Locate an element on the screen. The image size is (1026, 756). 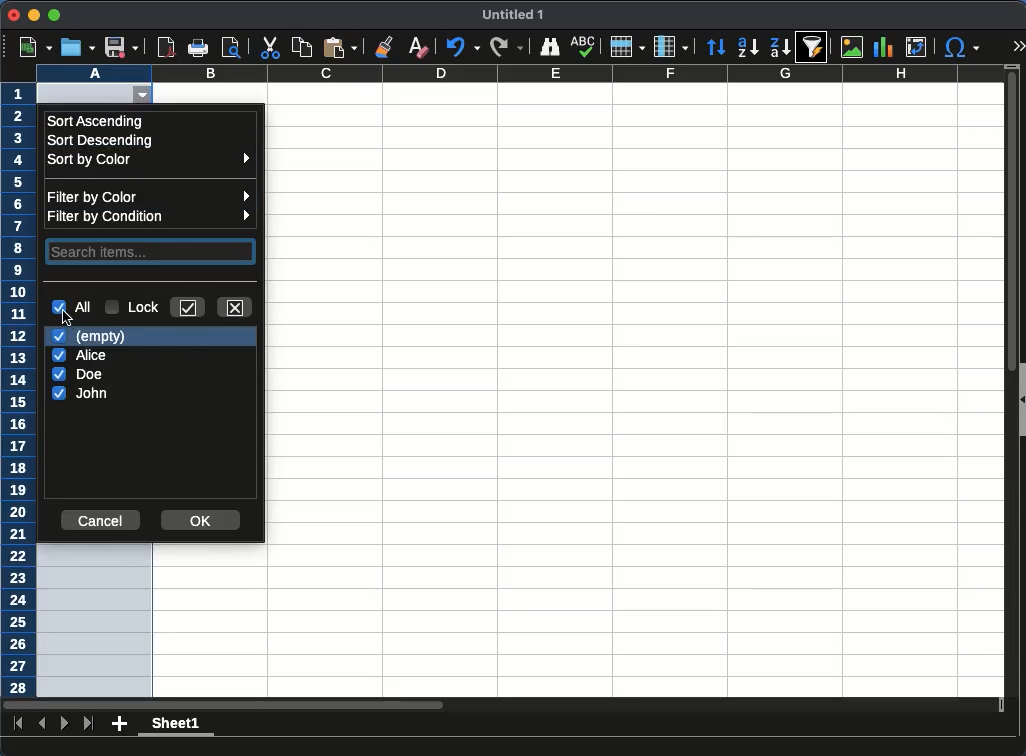
close is located at coordinates (237, 308).